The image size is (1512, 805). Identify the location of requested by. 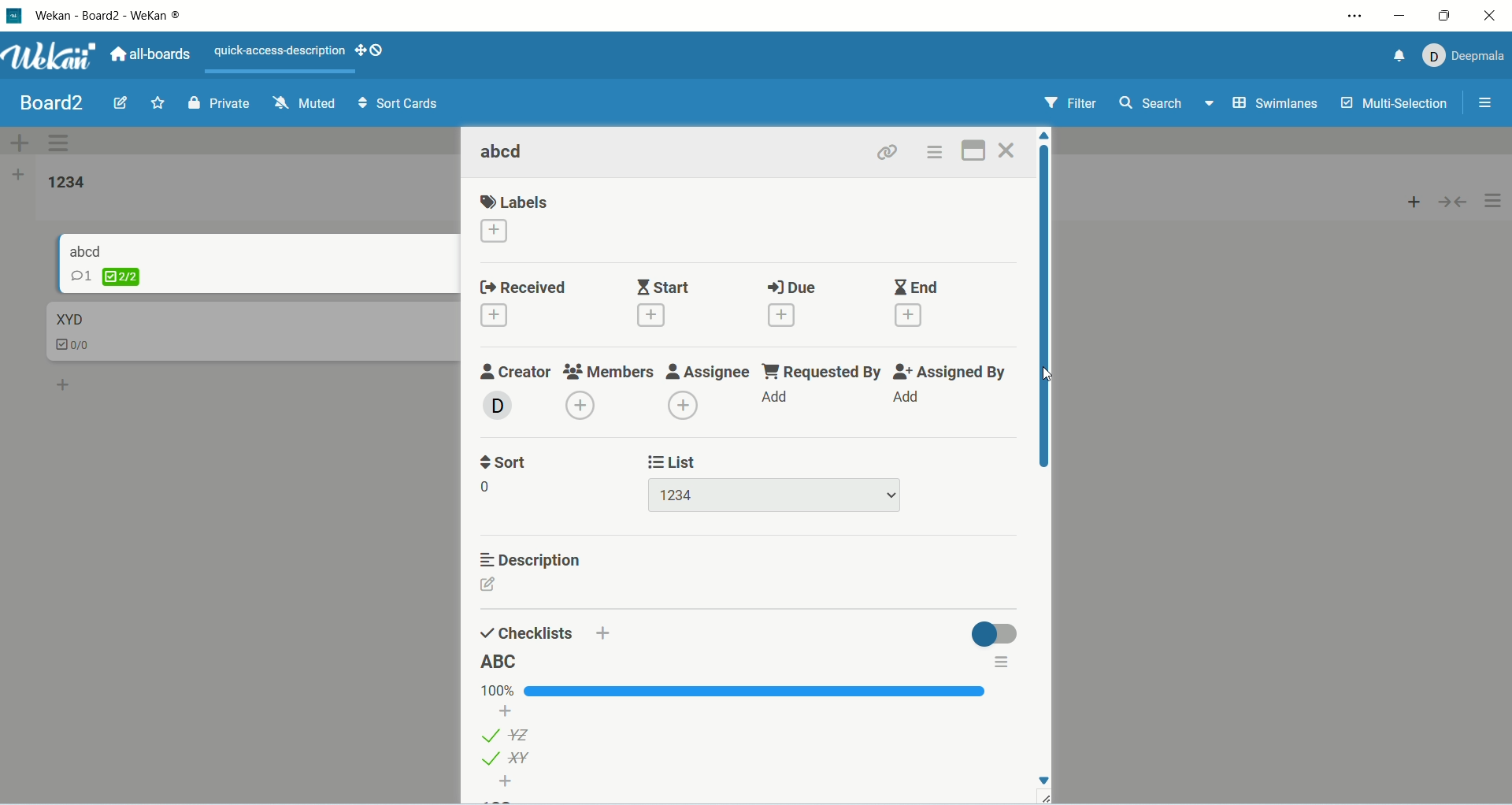
(823, 371).